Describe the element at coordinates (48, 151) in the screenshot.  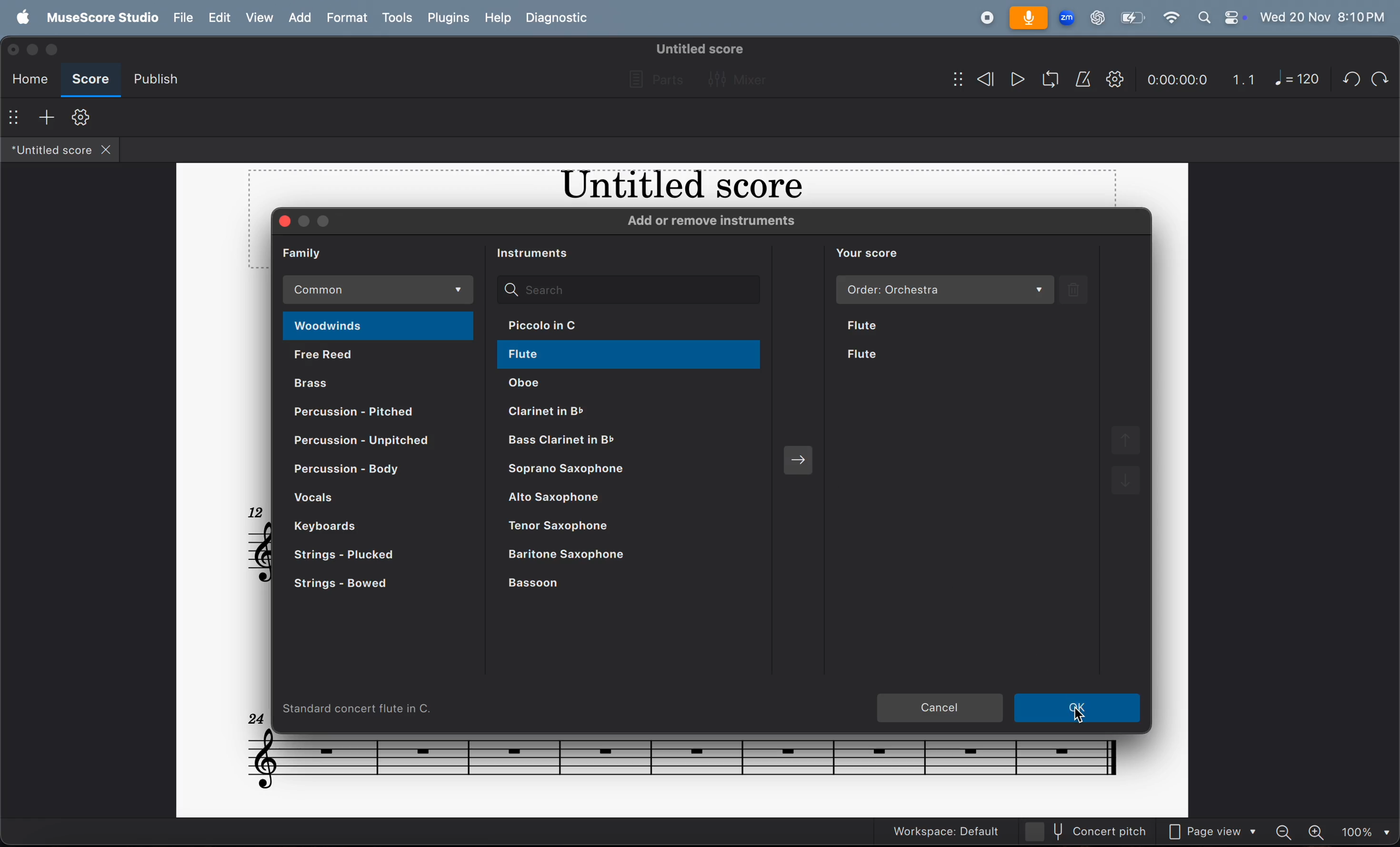
I see `untitled score` at that location.